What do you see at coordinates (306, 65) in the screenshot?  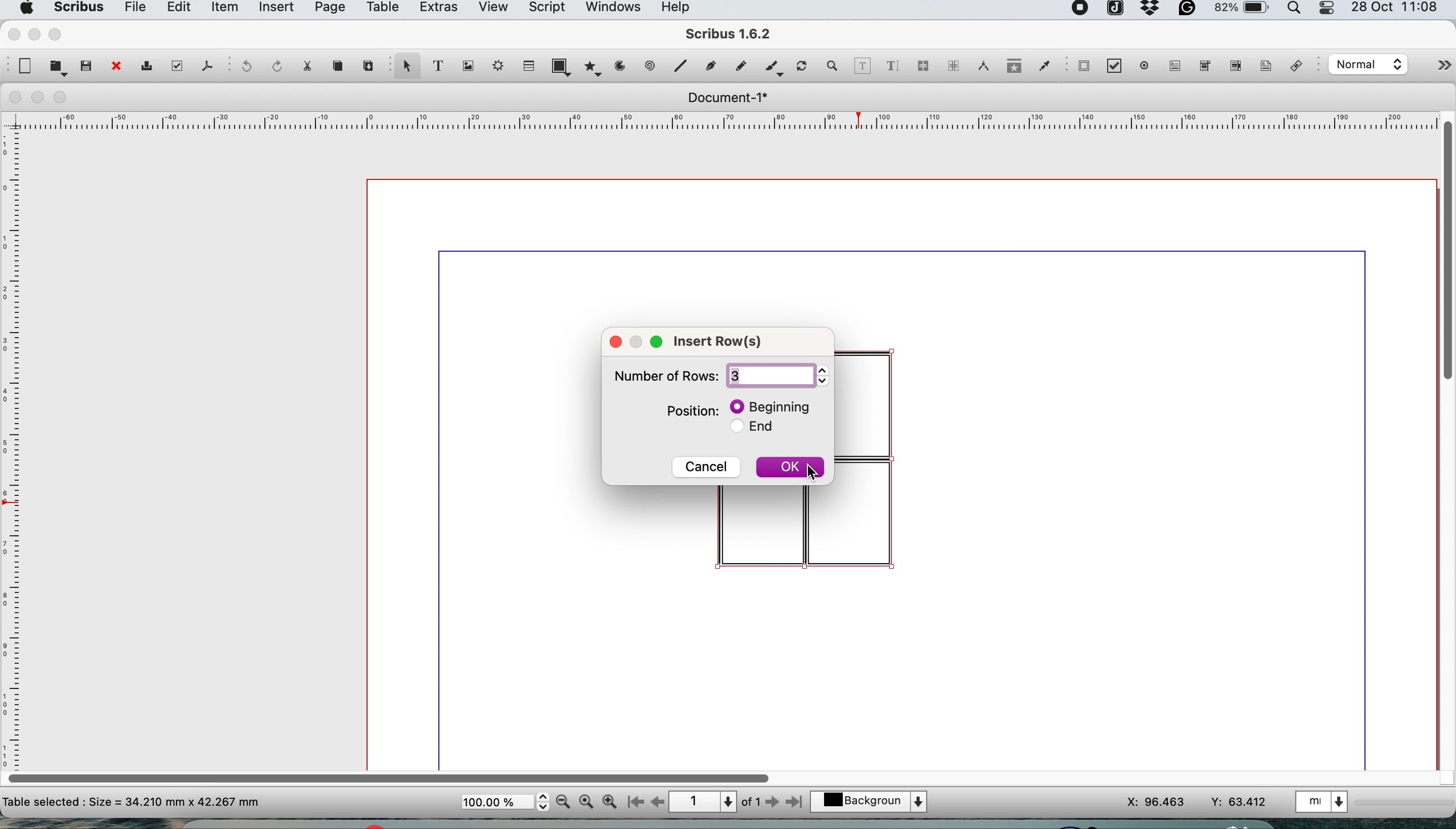 I see `cut` at bounding box center [306, 65].